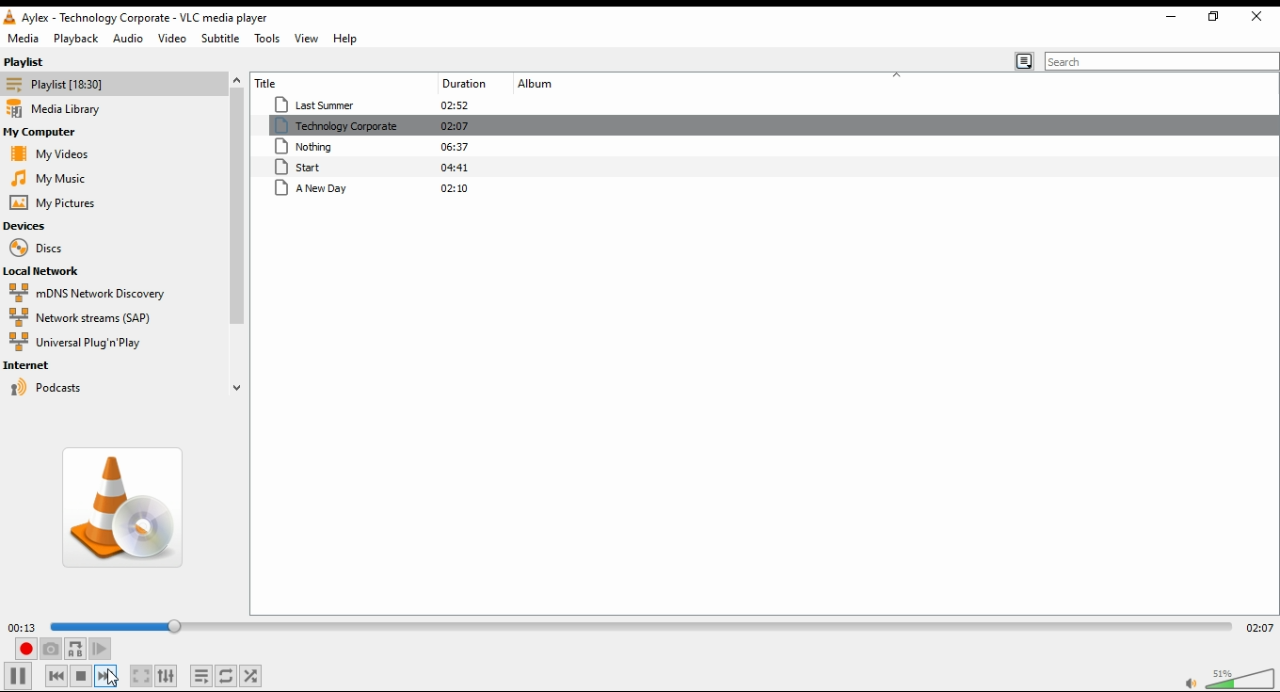 Image resolution: width=1280 pixels, height=692 pixels. I want to click on playback, so click(78, 41).